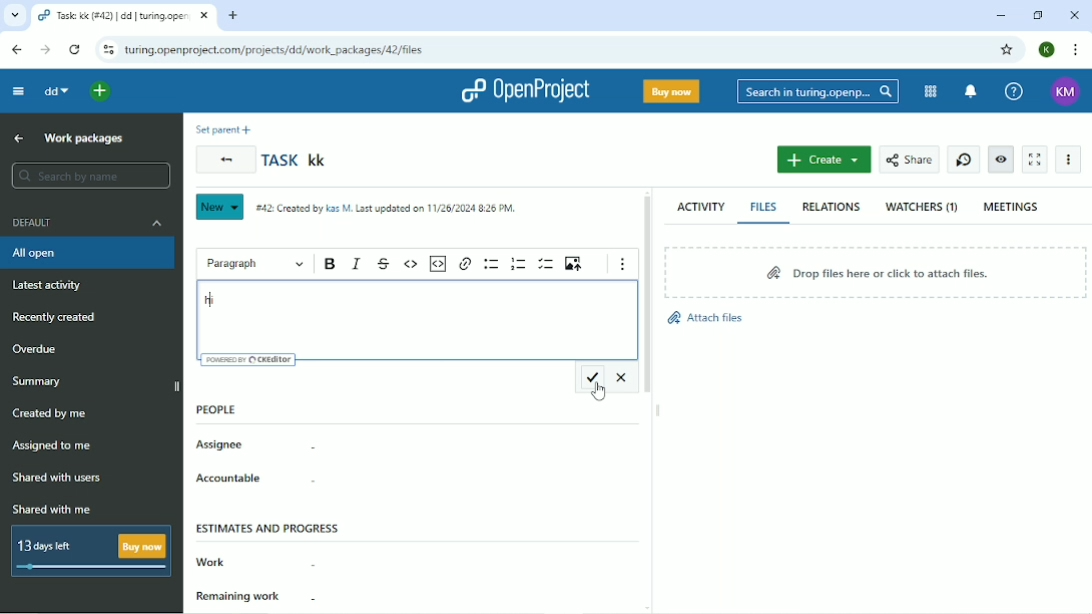 Image resolution: width=1092 pixels, height=614 pixels. Describe the element at coordinates (101, 92) in the screenshot. I see `Open quick add menu` at that location.